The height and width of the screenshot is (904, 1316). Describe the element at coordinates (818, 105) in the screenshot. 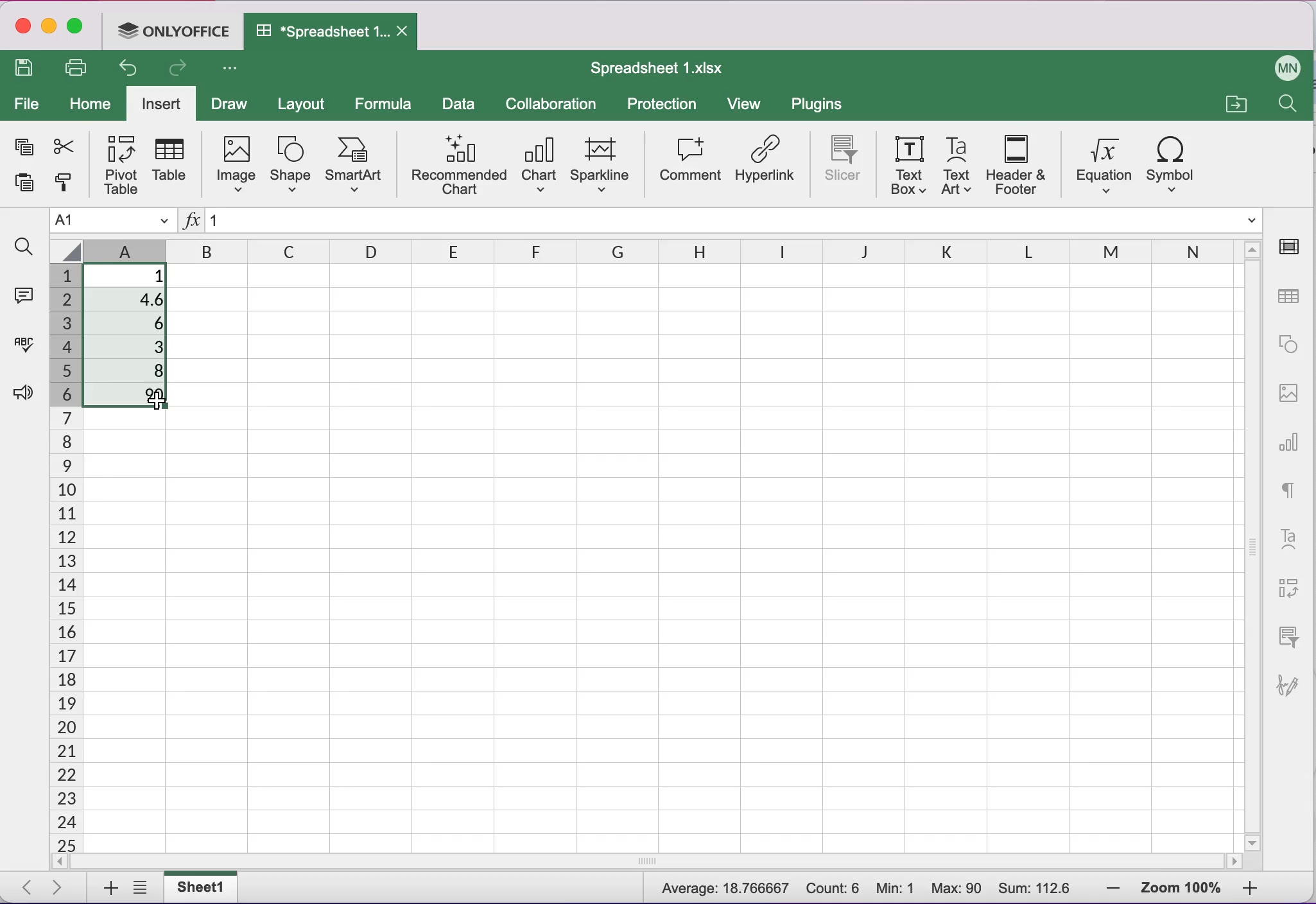

I see `plugins` at that location.